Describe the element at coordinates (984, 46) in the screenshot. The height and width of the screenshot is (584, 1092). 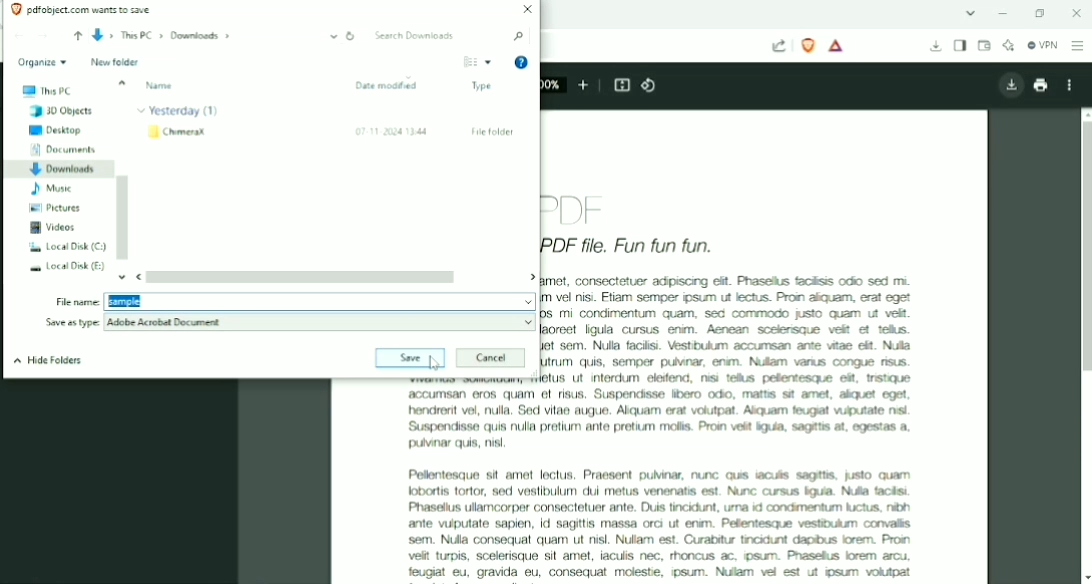
I see `Wallet` at that location.